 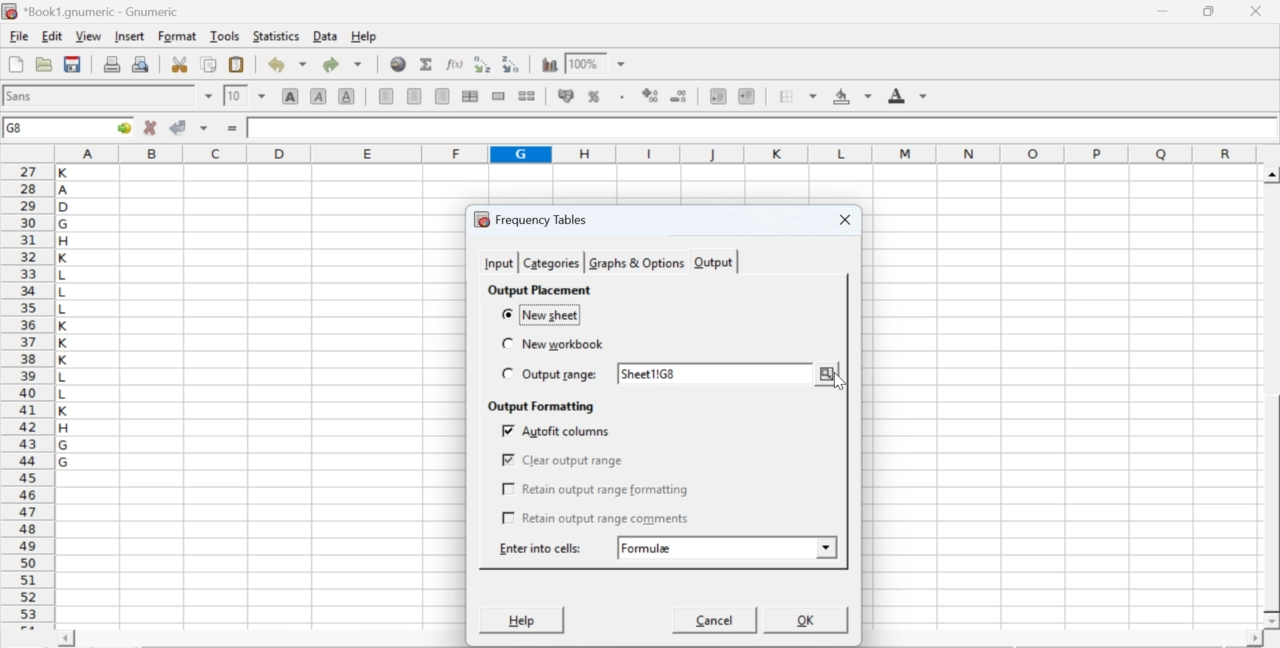 I want to click on minimize, so click(x=1164, y=11).